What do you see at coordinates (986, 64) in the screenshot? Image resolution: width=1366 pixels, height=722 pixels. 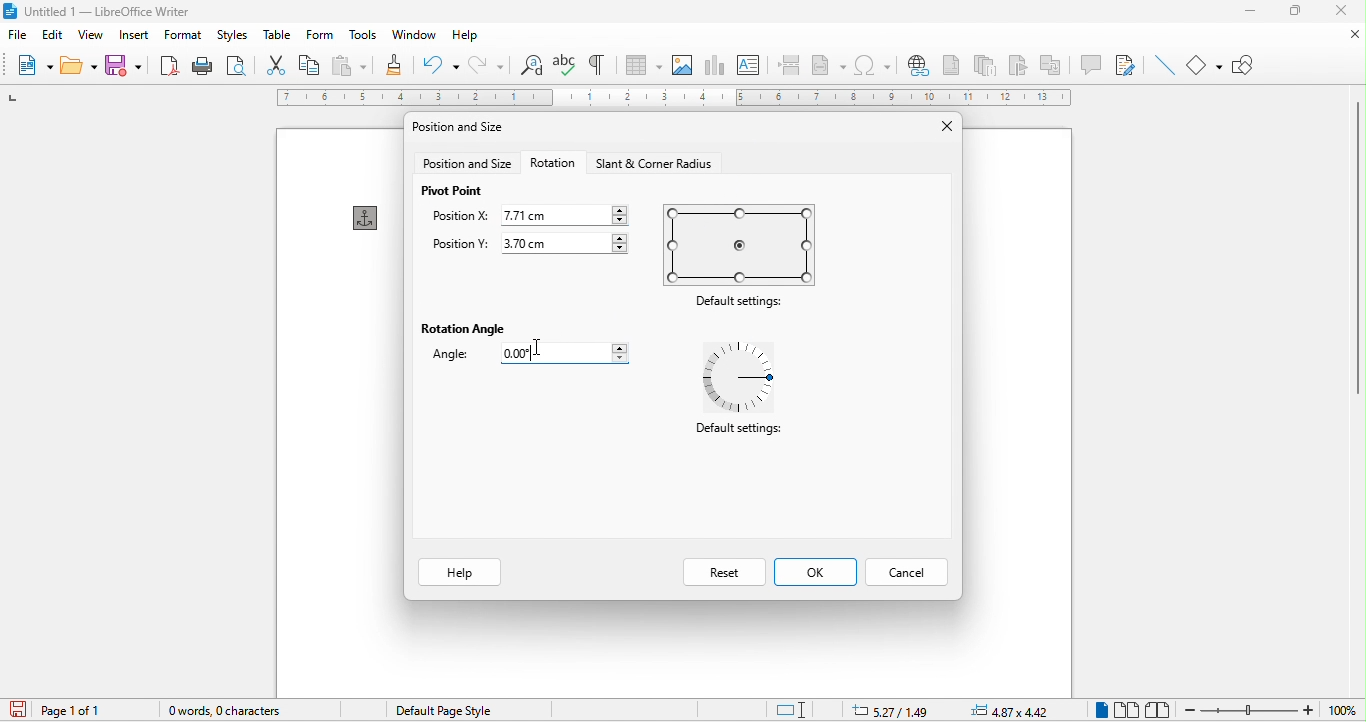 I see `endnote` at bounding box center [986, 64].